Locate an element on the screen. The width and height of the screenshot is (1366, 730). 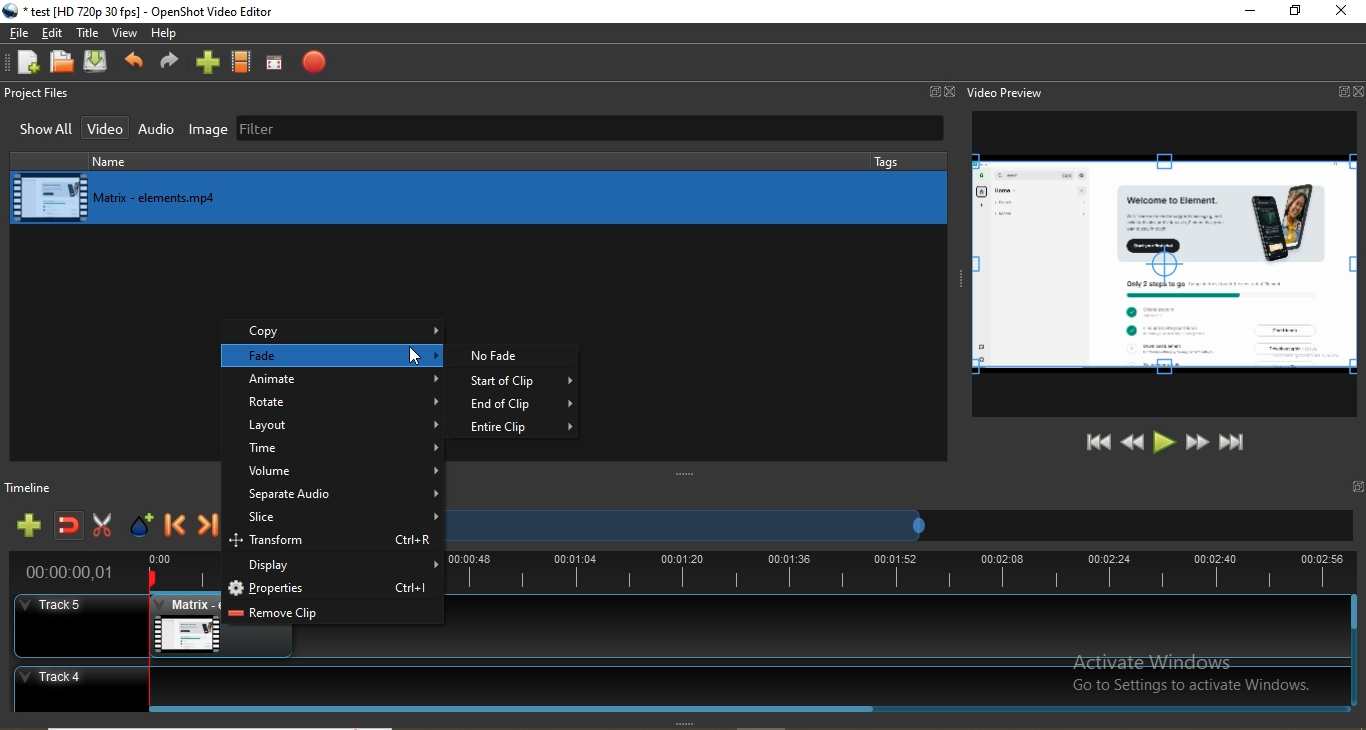
animate is located at coordinates (334, 380).